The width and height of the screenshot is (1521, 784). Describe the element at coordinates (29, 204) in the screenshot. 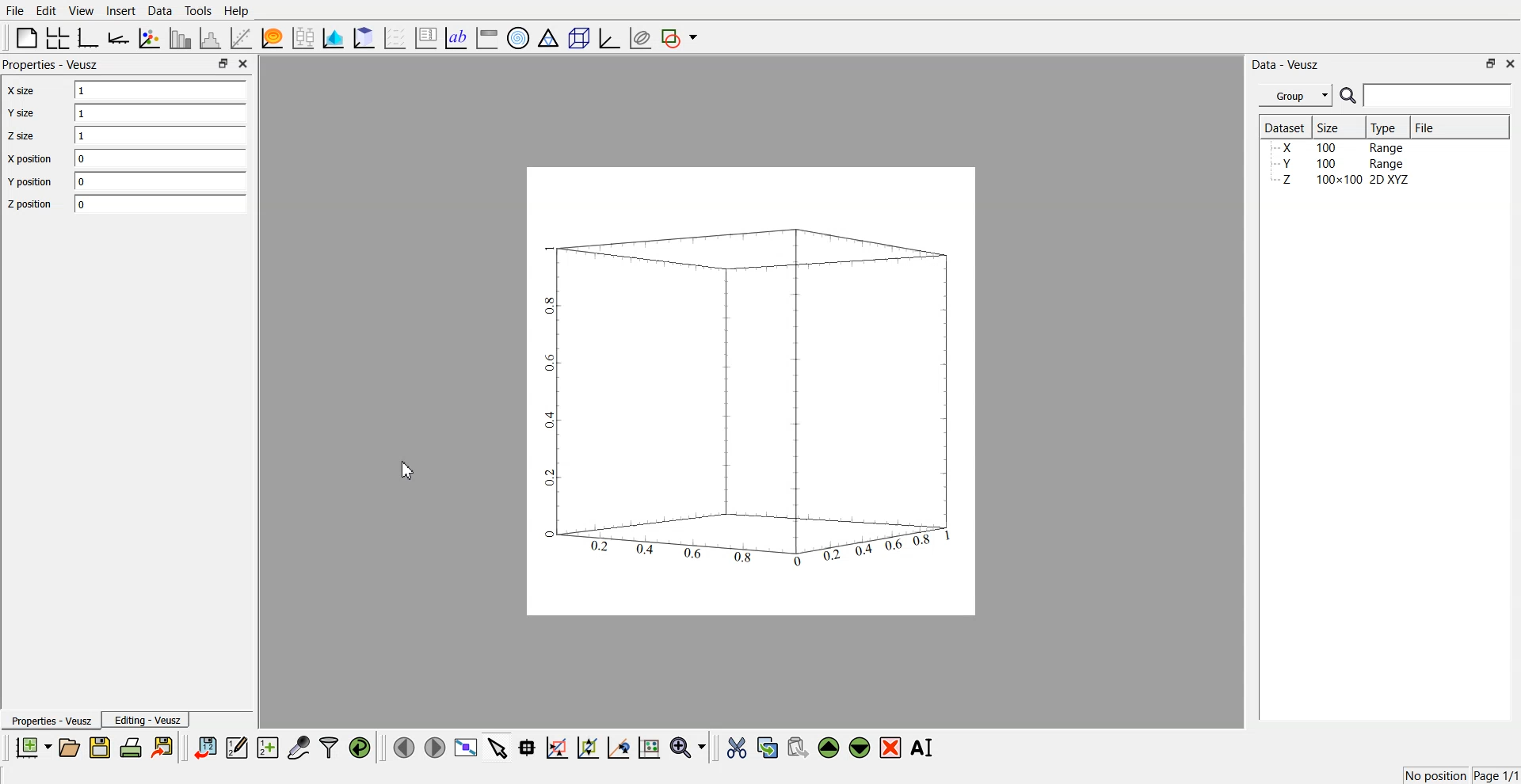

I see `Z position` at that location.